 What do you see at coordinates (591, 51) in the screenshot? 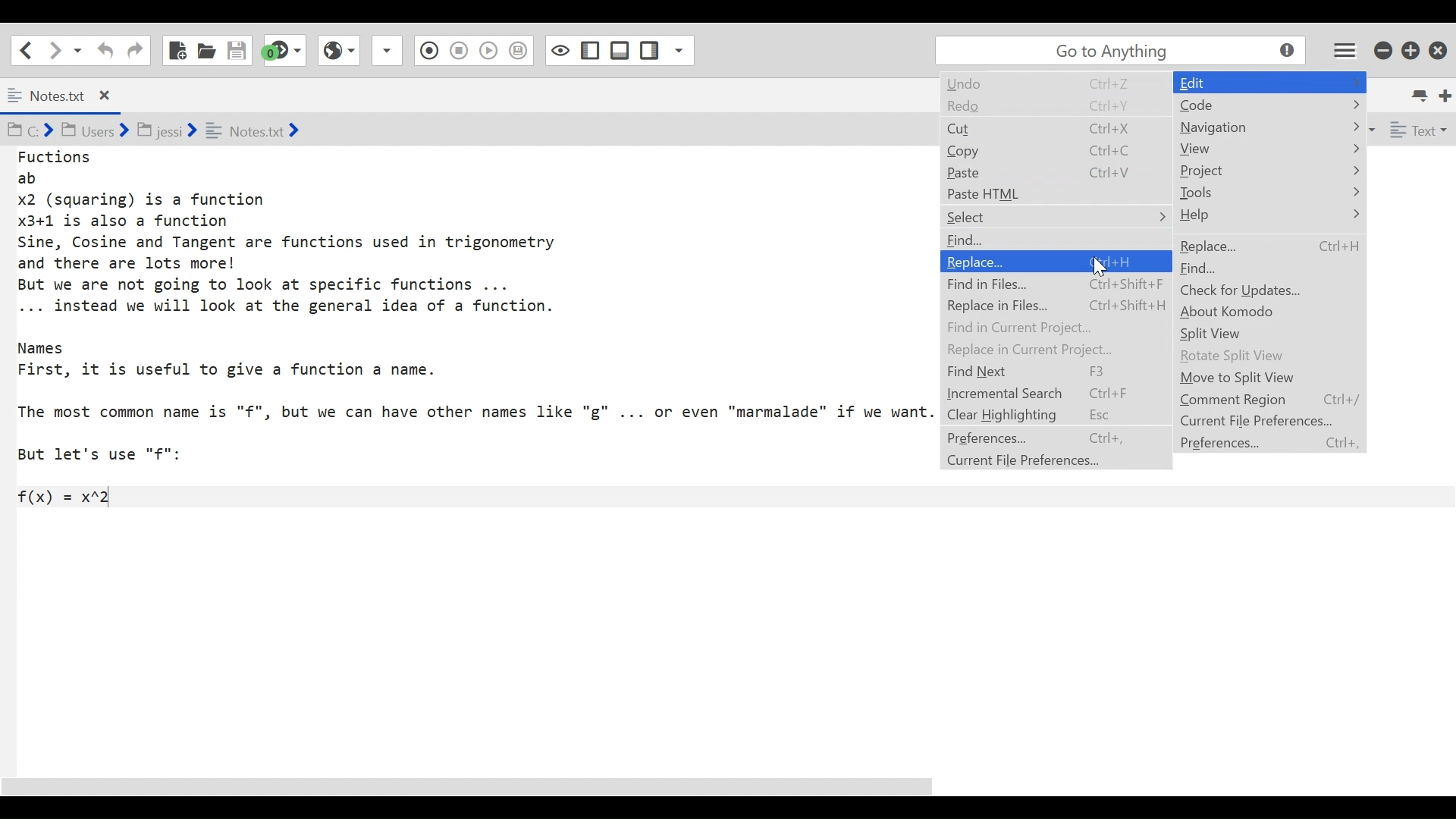
I see `Show/Hide Bottom Pane` at bounding box center [591, 51].